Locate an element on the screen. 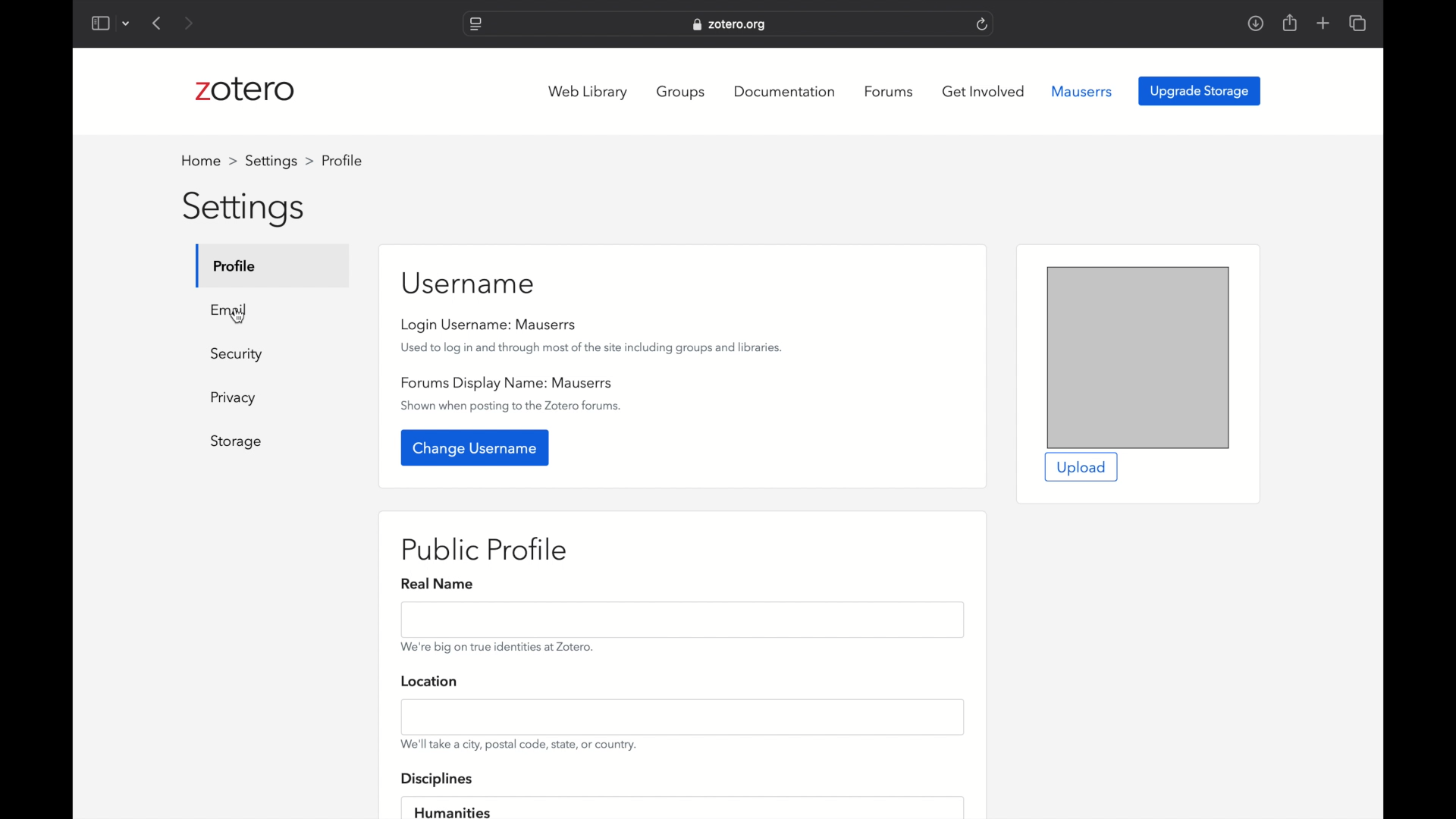 Image resolution: width=1456 pixels, height=819 pixels. downloads is located at coordinates (1255, 24).